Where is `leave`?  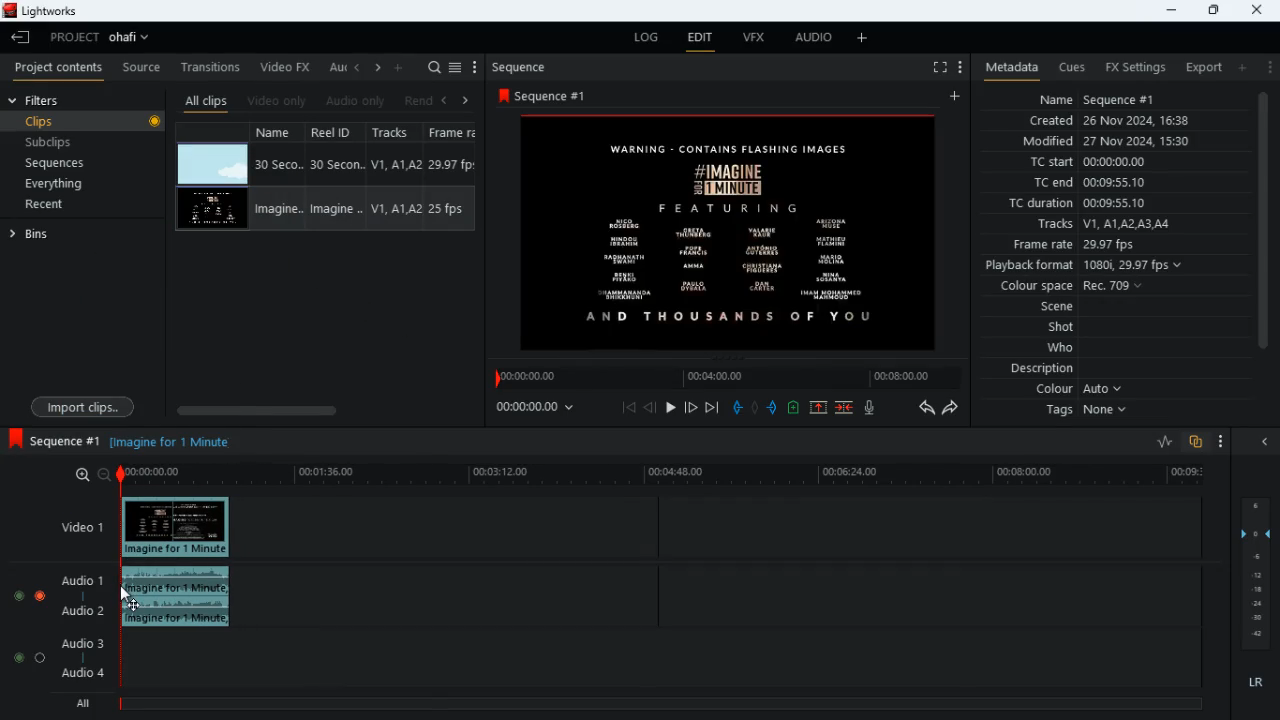 leave is located at coordinates (22, 37).